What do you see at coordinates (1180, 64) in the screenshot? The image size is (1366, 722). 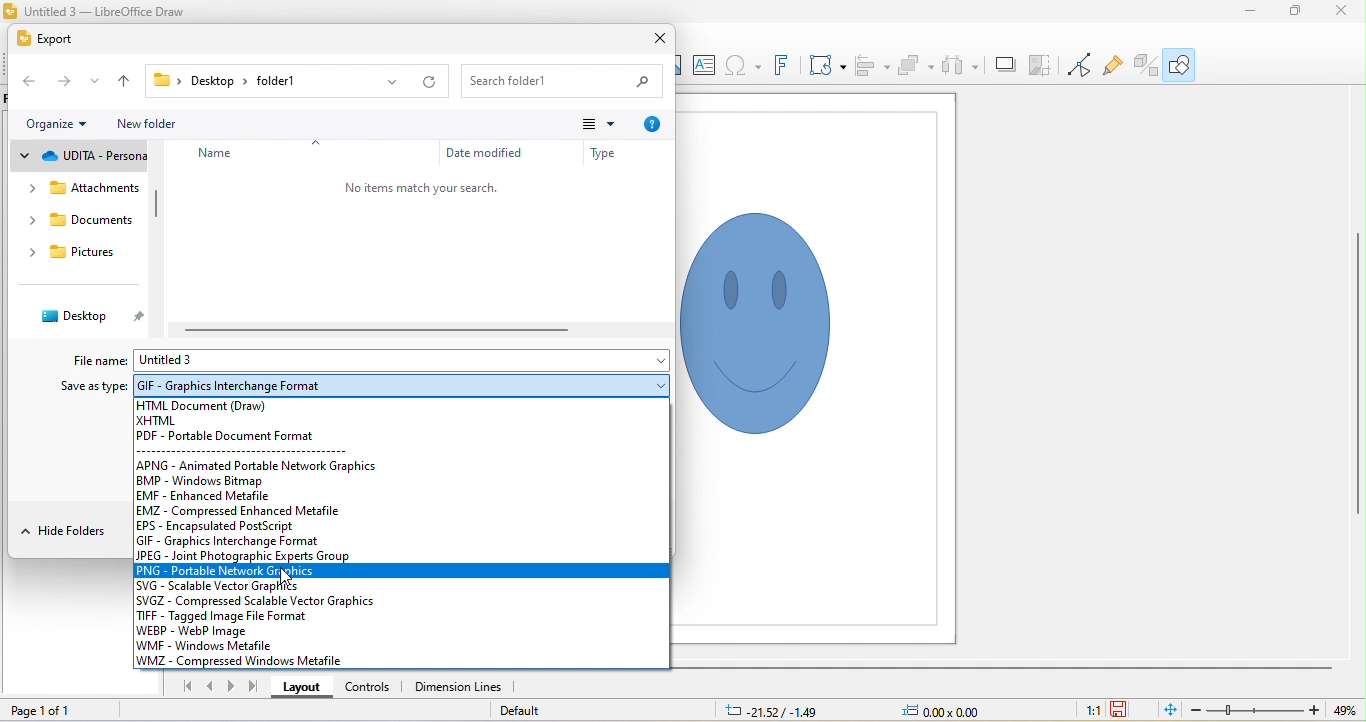 I see `show draw functions` at bounding box center [1180, 64].